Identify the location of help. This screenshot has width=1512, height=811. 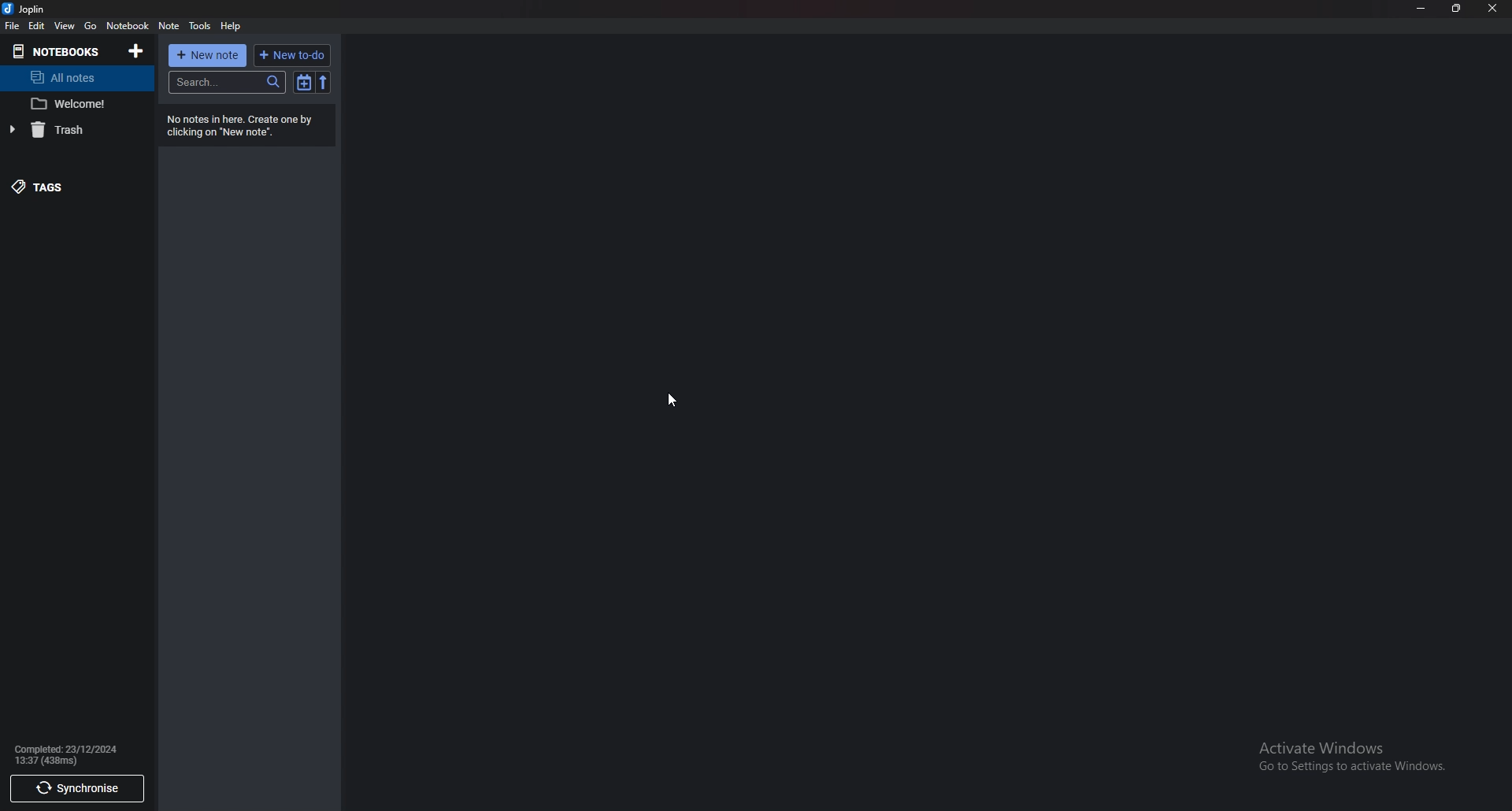
(232, 26).